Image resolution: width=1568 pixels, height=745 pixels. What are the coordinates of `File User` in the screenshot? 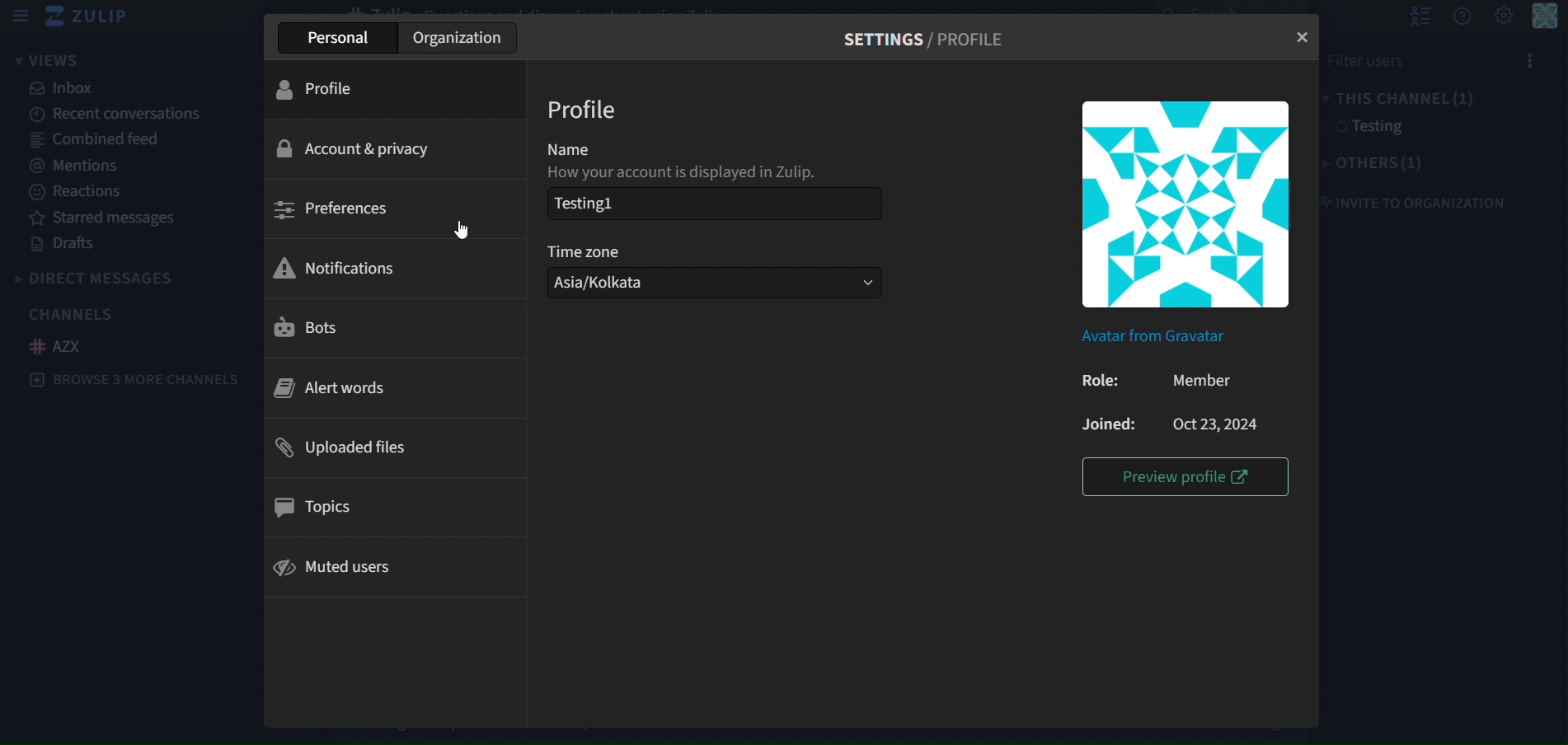 It's located at (1414, 61).